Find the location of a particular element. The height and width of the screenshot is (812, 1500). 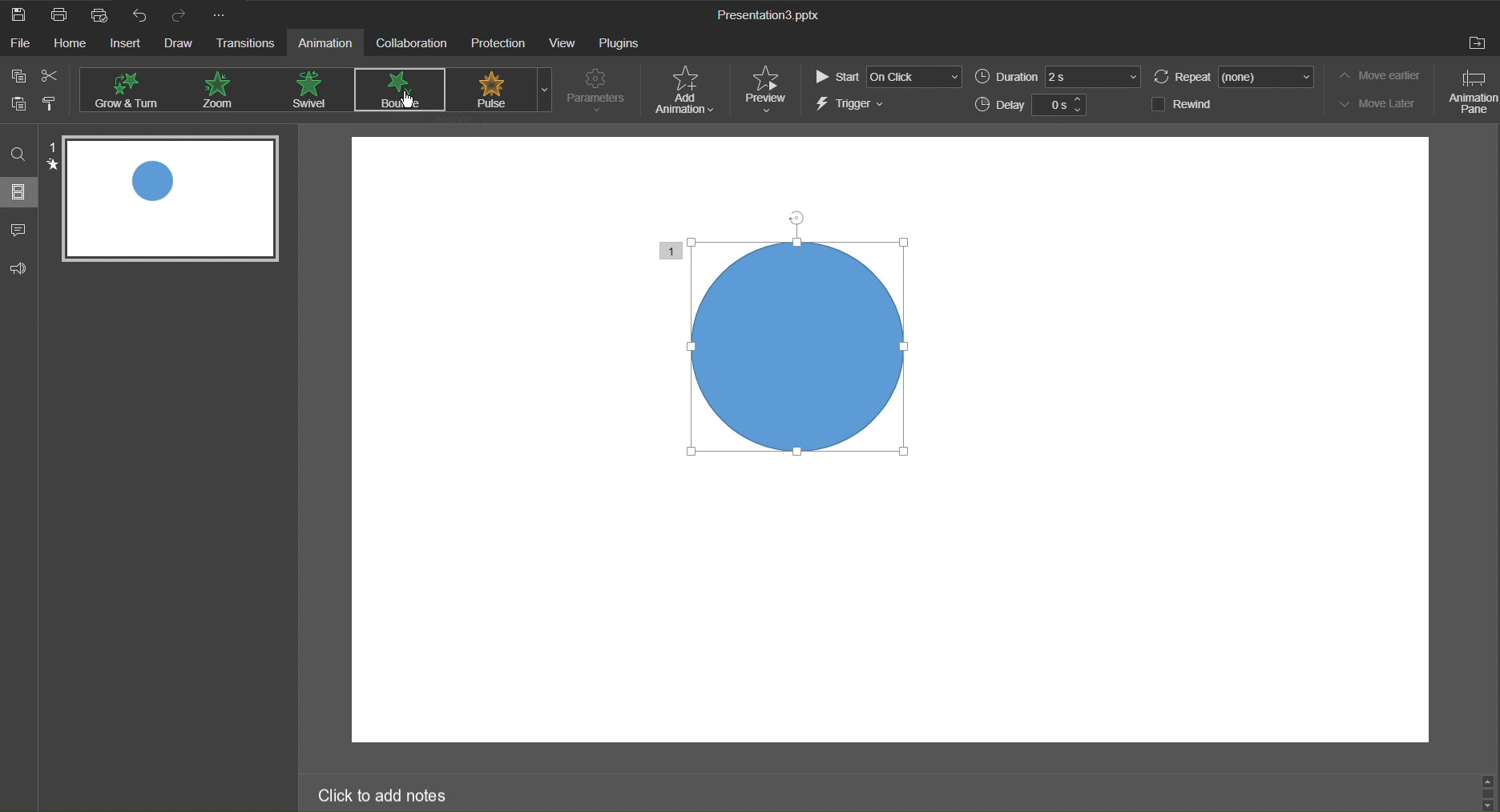

Animations is located at coordinates (493, 89).